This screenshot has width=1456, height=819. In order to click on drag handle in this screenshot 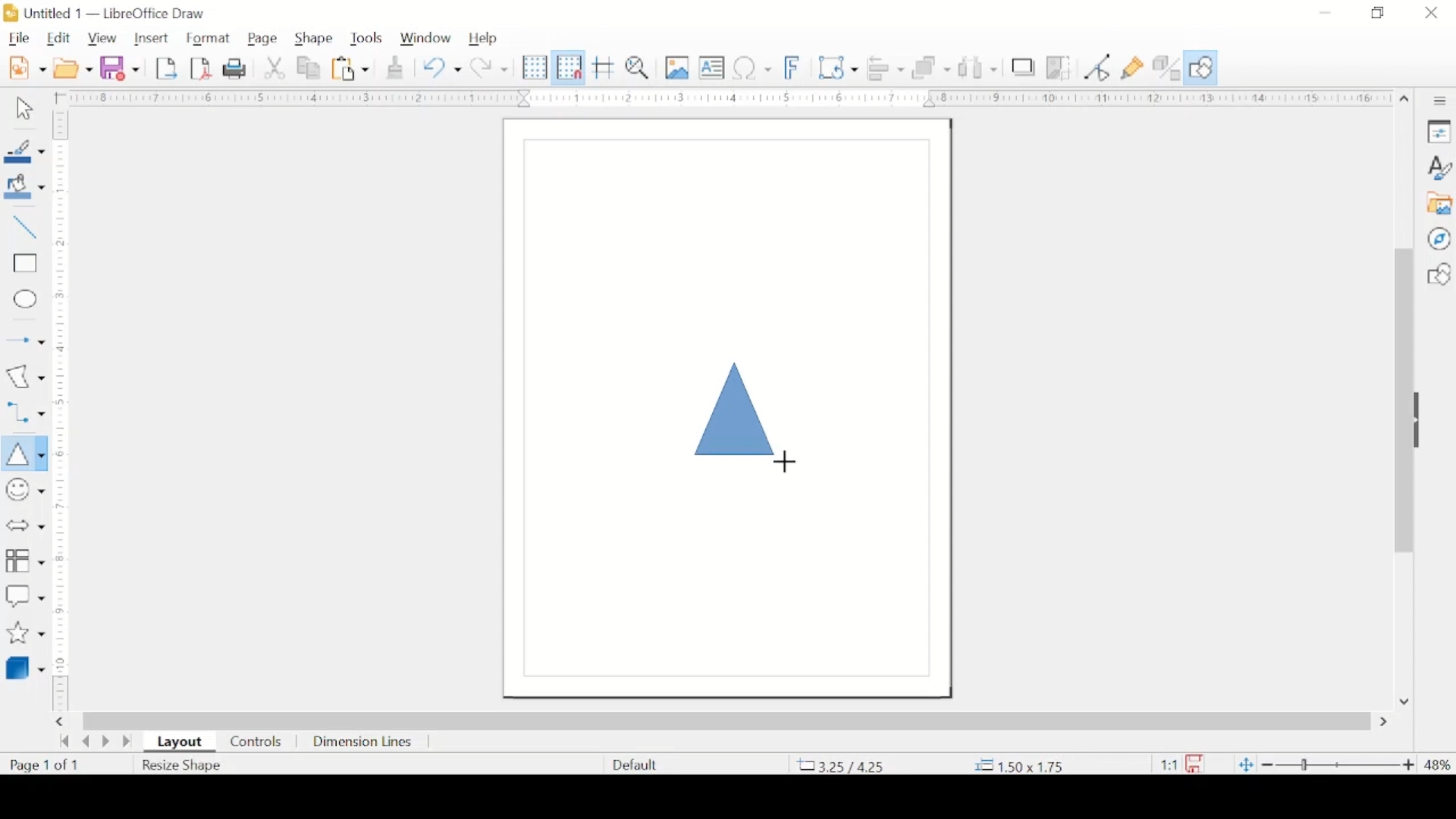, I will do `click(1423, 421)`.